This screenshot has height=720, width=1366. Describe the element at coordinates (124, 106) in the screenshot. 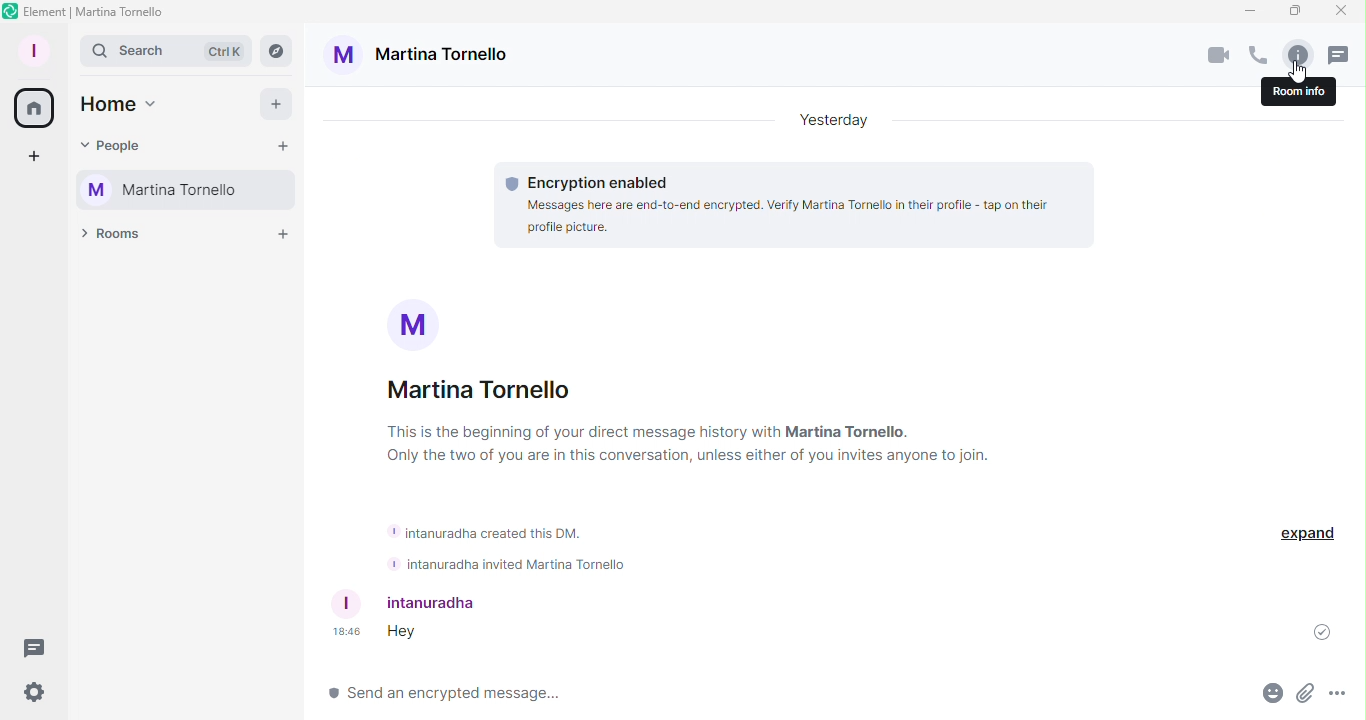

I see `Home ` at that location.